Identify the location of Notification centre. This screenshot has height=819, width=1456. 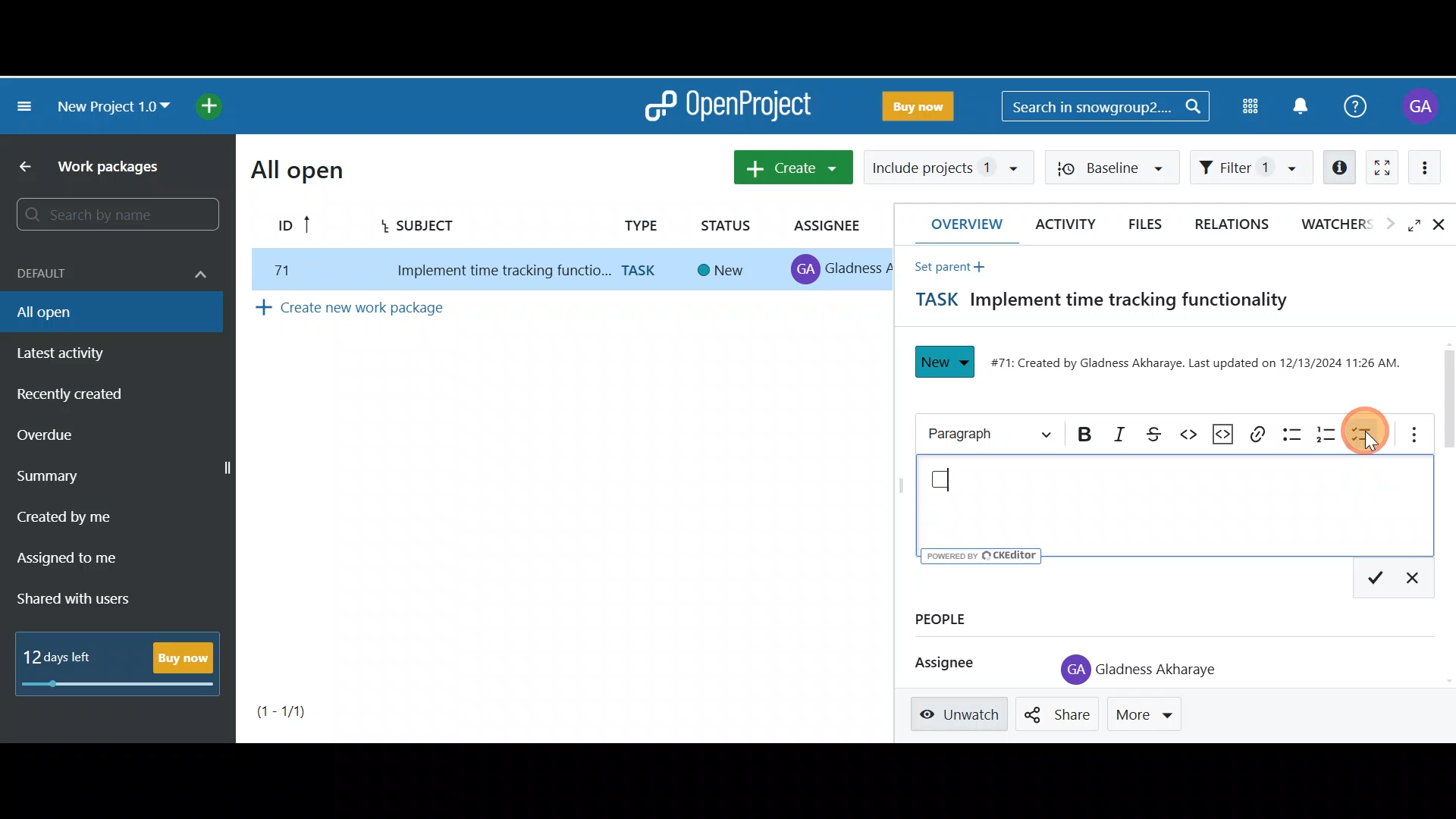
(1310, 105).